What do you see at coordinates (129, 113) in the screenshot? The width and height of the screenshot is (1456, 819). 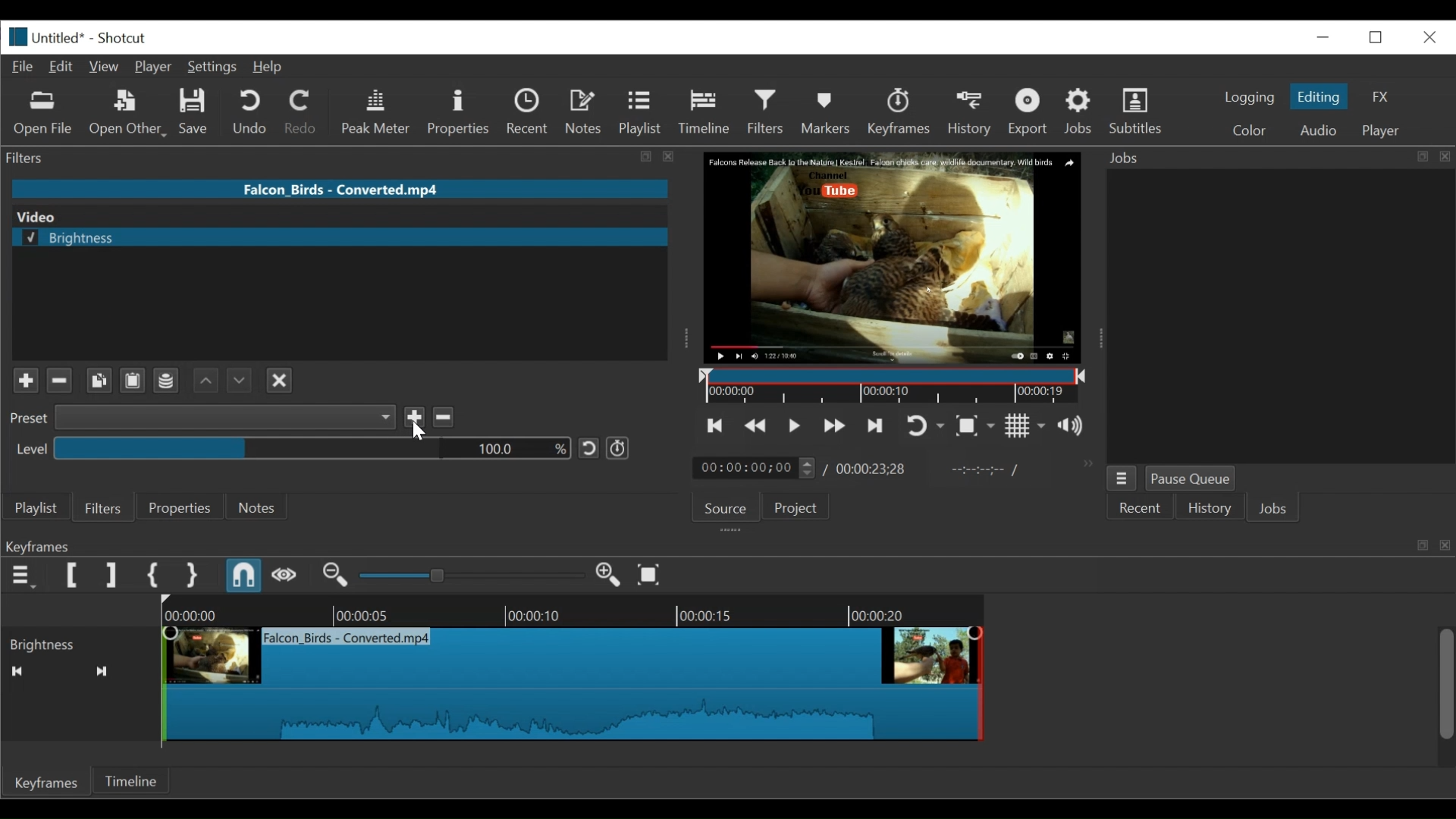 I see `Open Other` at bounding box center [129, 113].